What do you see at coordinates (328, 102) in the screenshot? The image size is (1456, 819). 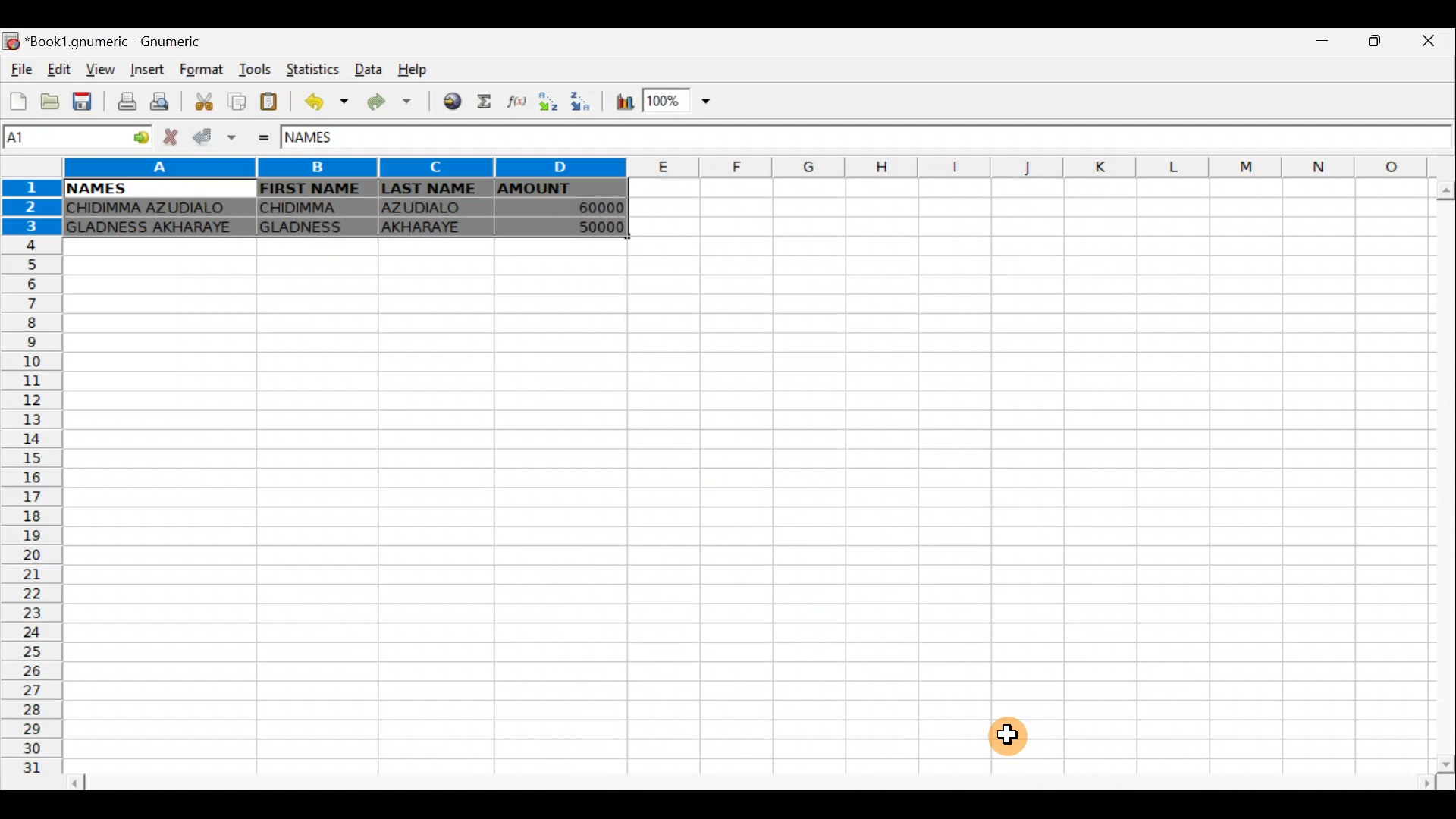 I see `Undo last action` at bounding box center [328, 102].